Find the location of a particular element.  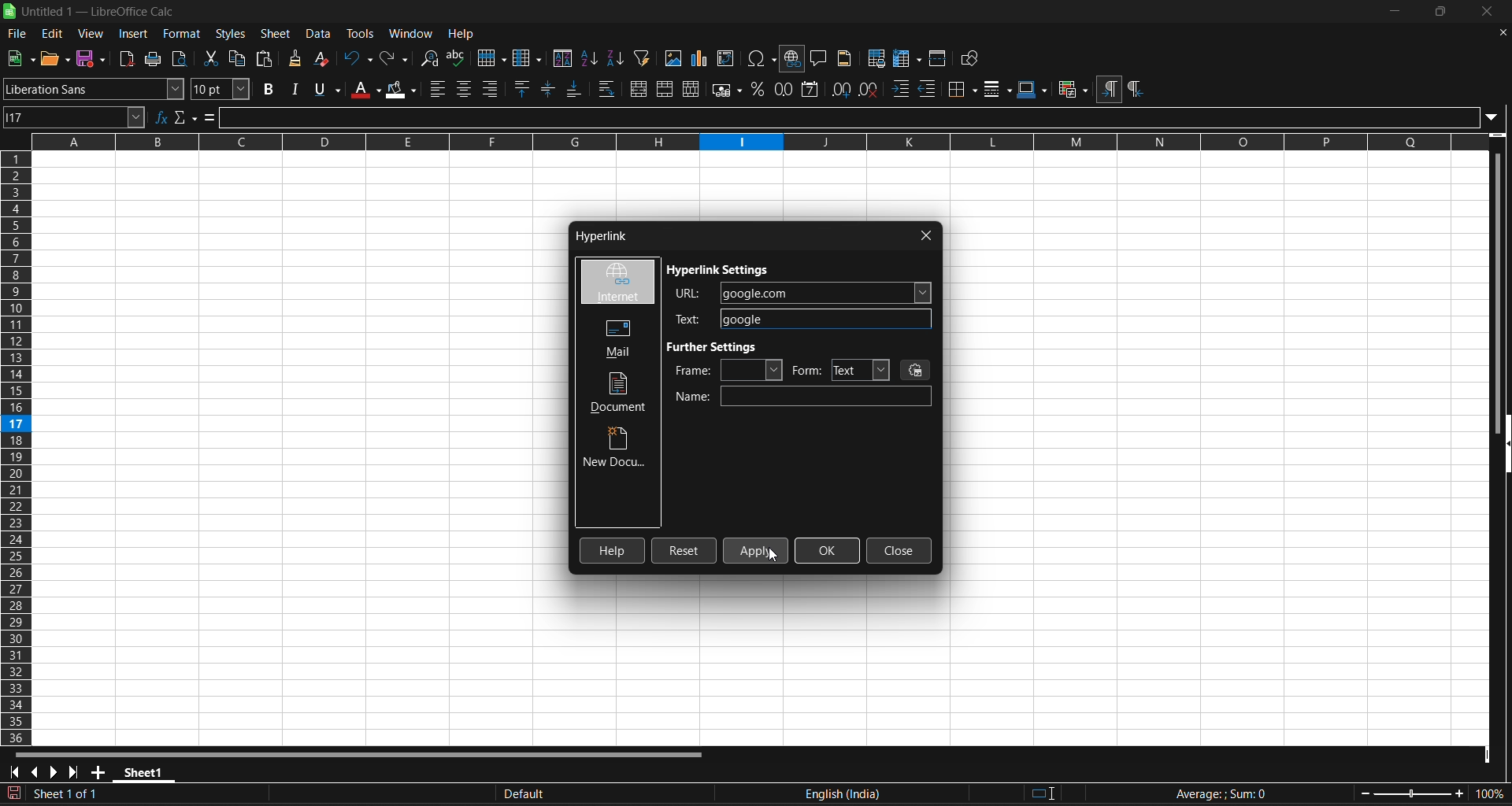

decrease indent is located at coordinates (929, 90).